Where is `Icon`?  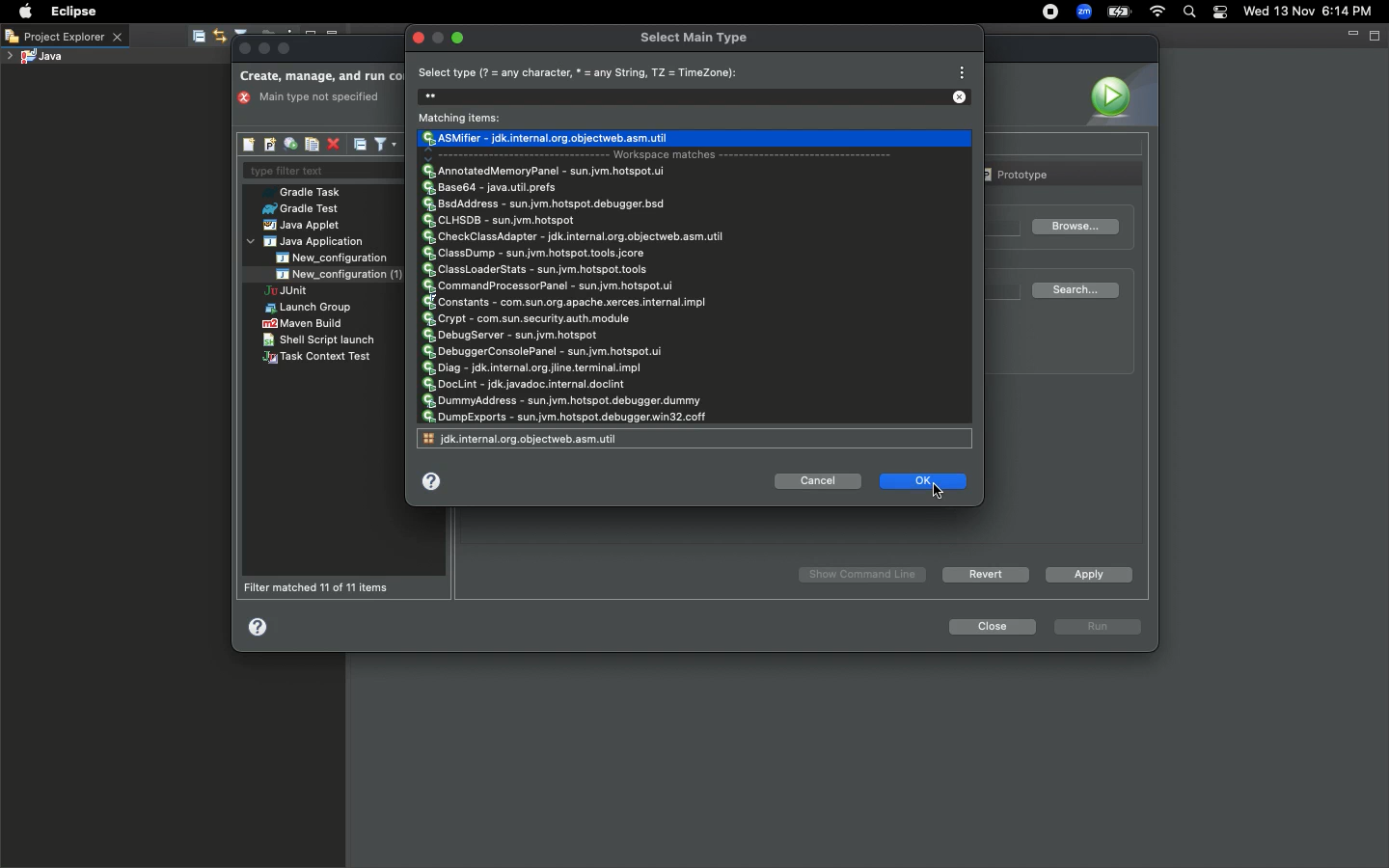
Icon is located at coordinates (1119, 95).